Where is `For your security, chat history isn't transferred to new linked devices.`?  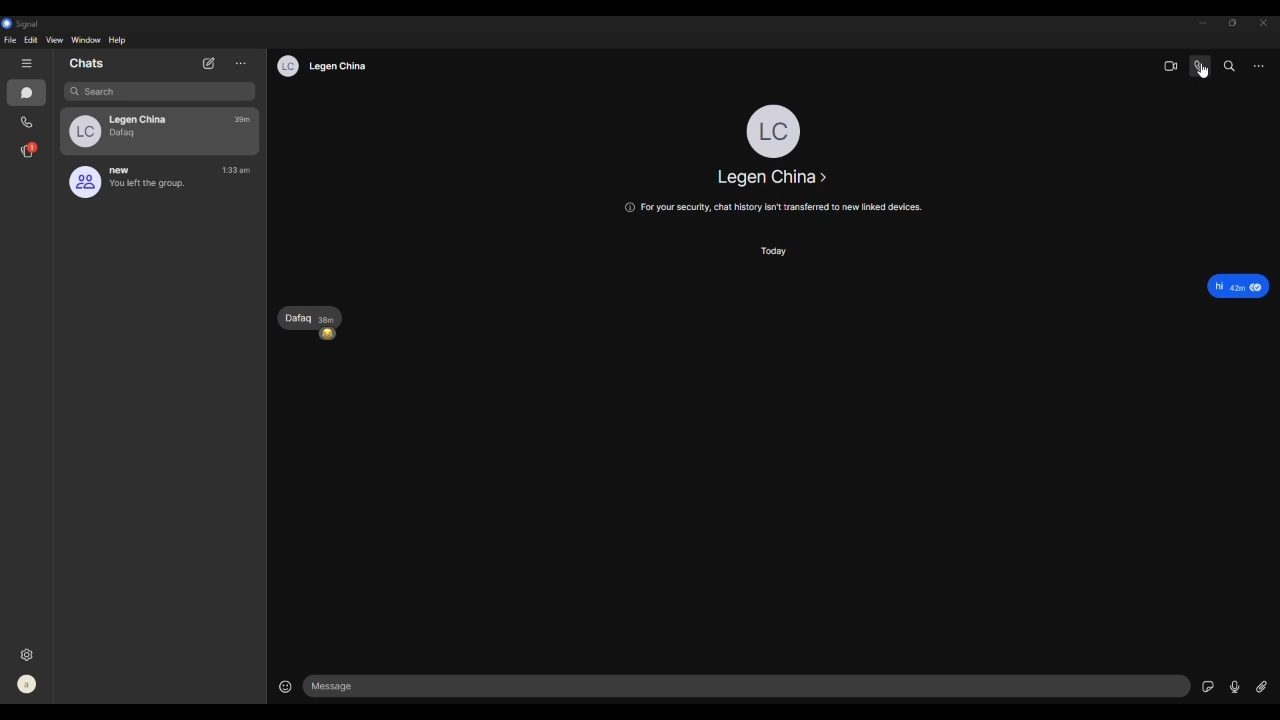
For your security, chat history isn't transferred to new linked devices. is located at coordinates (777, 208).